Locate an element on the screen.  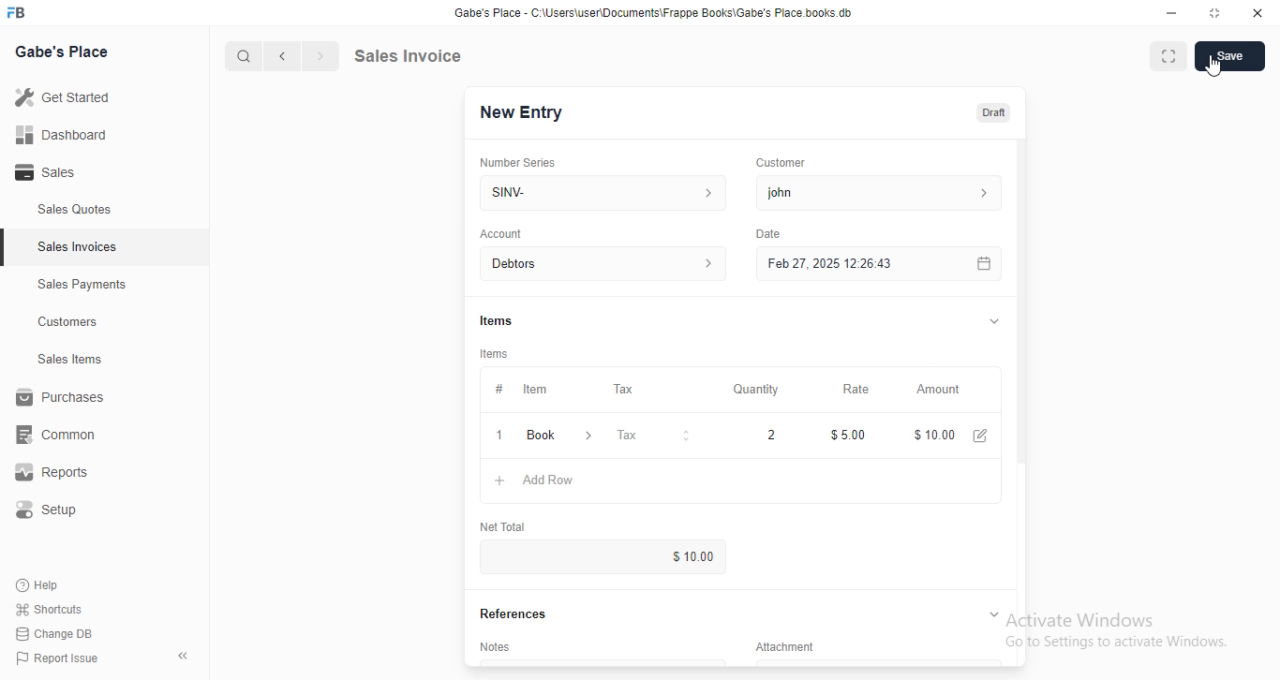
Gabe's Place - C'\Users\userDocuments\Frappe Books\Gabe's Place books db is located at coordinates (657, 13).